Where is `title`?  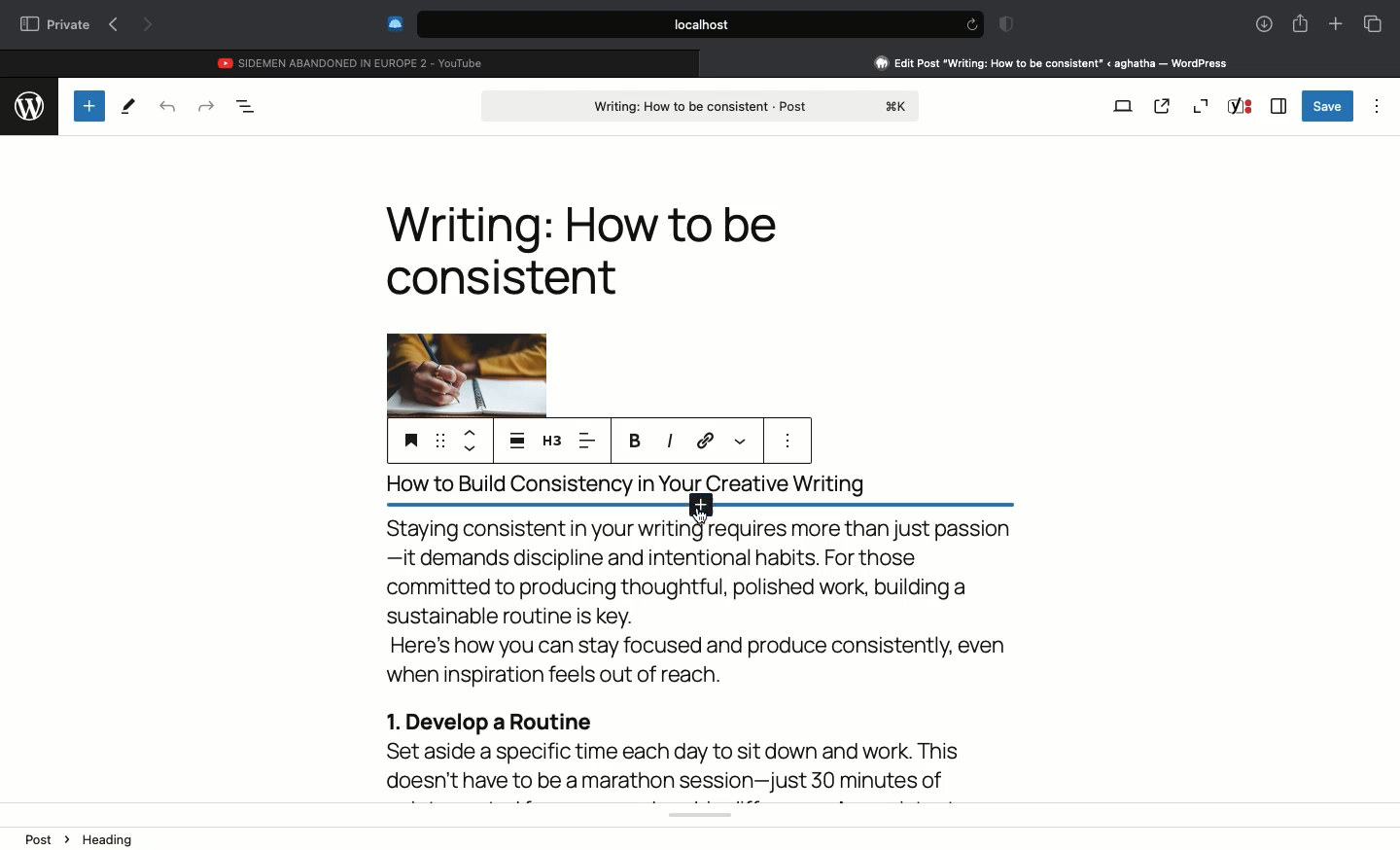
title is located at coordinates (695, 482).